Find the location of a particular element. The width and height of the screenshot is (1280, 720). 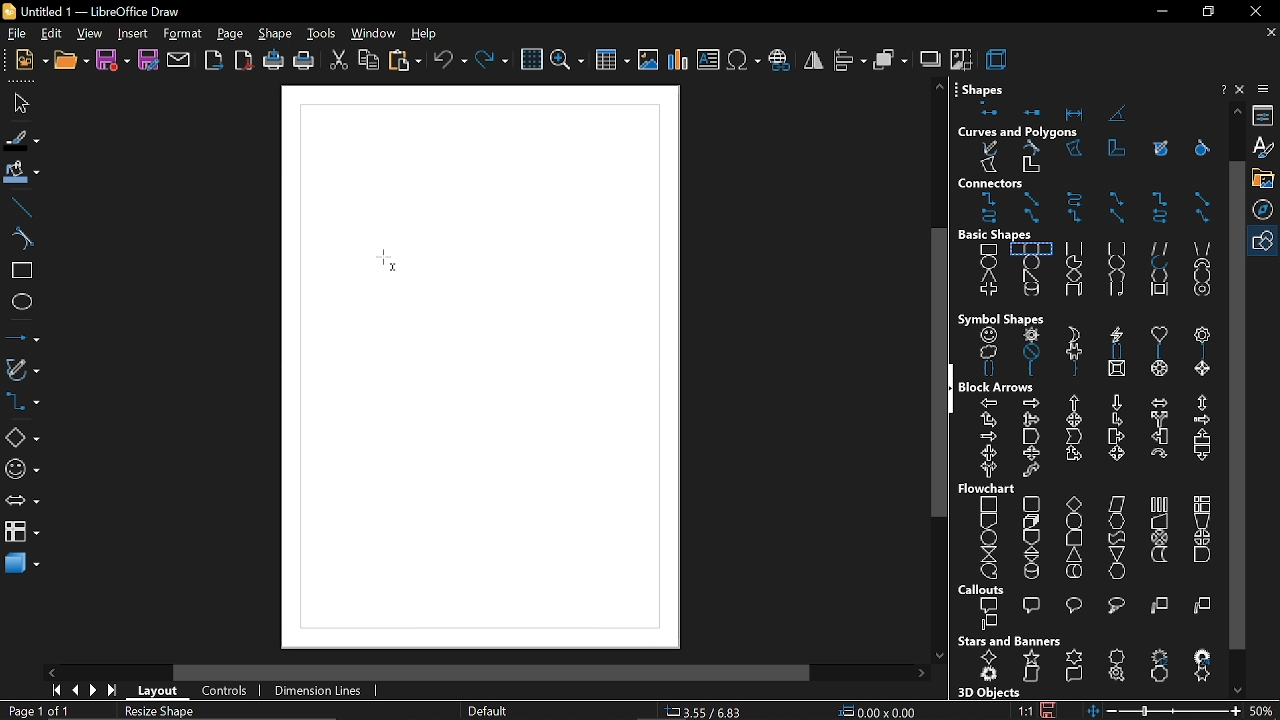

print is located at coordinates (303, 63).